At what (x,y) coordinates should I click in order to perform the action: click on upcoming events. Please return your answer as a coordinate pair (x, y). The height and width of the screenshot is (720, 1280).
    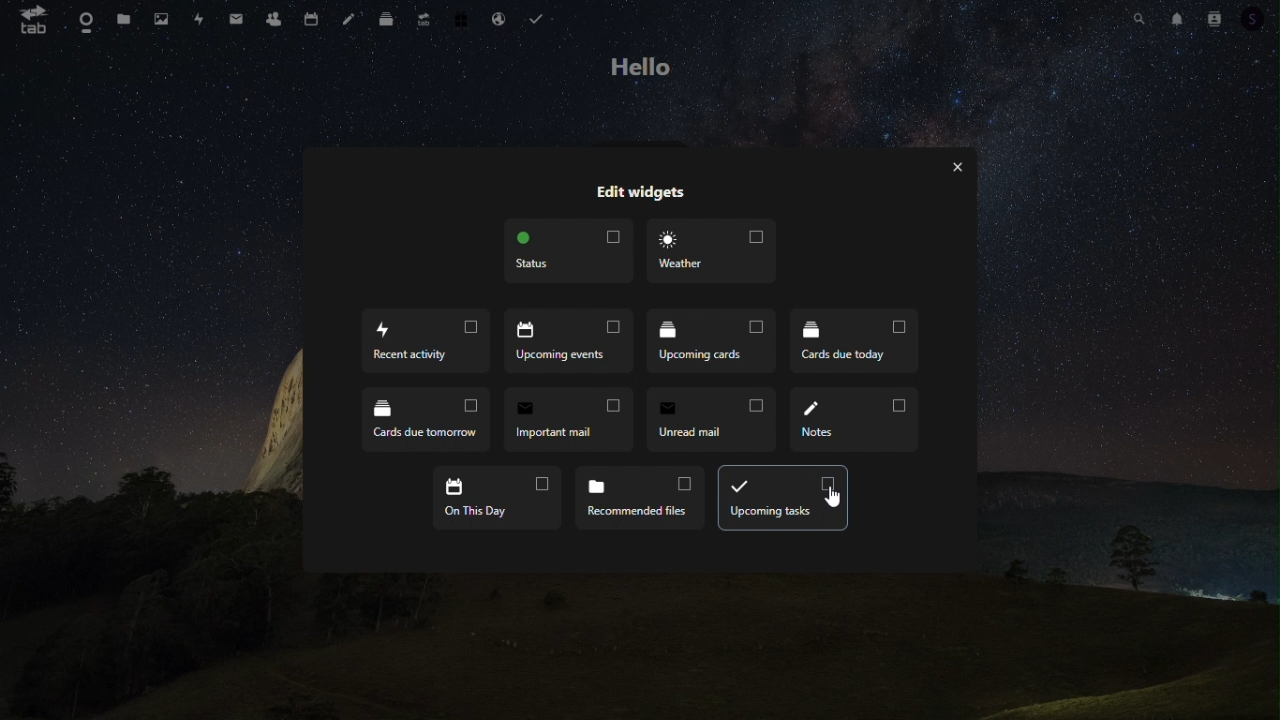
    Looking at the image, I should click on (571, 343).